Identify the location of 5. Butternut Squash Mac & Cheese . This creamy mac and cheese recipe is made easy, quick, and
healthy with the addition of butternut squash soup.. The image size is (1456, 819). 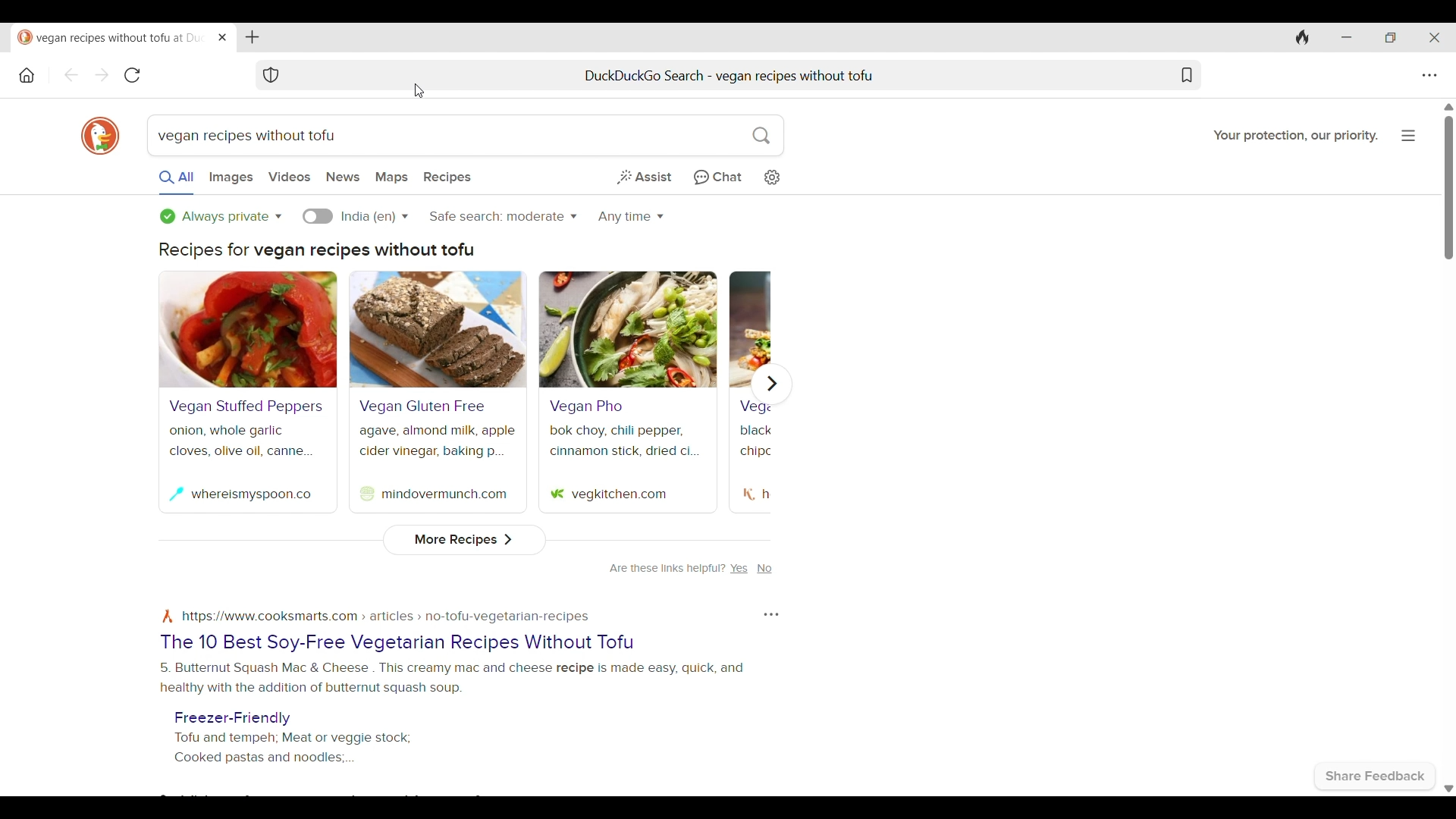
(451, 679).